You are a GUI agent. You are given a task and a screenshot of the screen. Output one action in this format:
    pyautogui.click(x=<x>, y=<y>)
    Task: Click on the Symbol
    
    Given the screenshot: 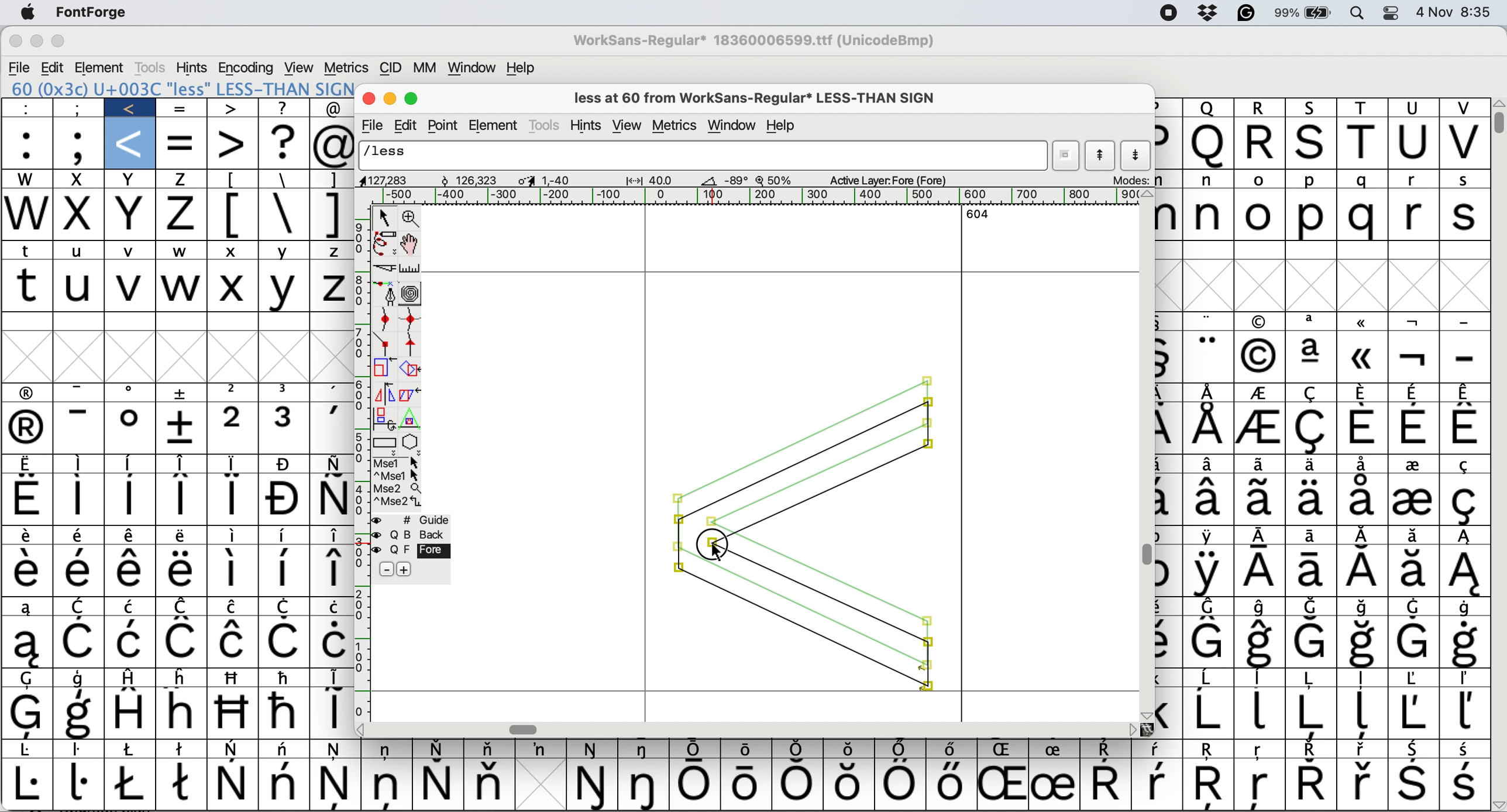 What is the action you would take?
    pyautogui.click(x=331, y=713)
    